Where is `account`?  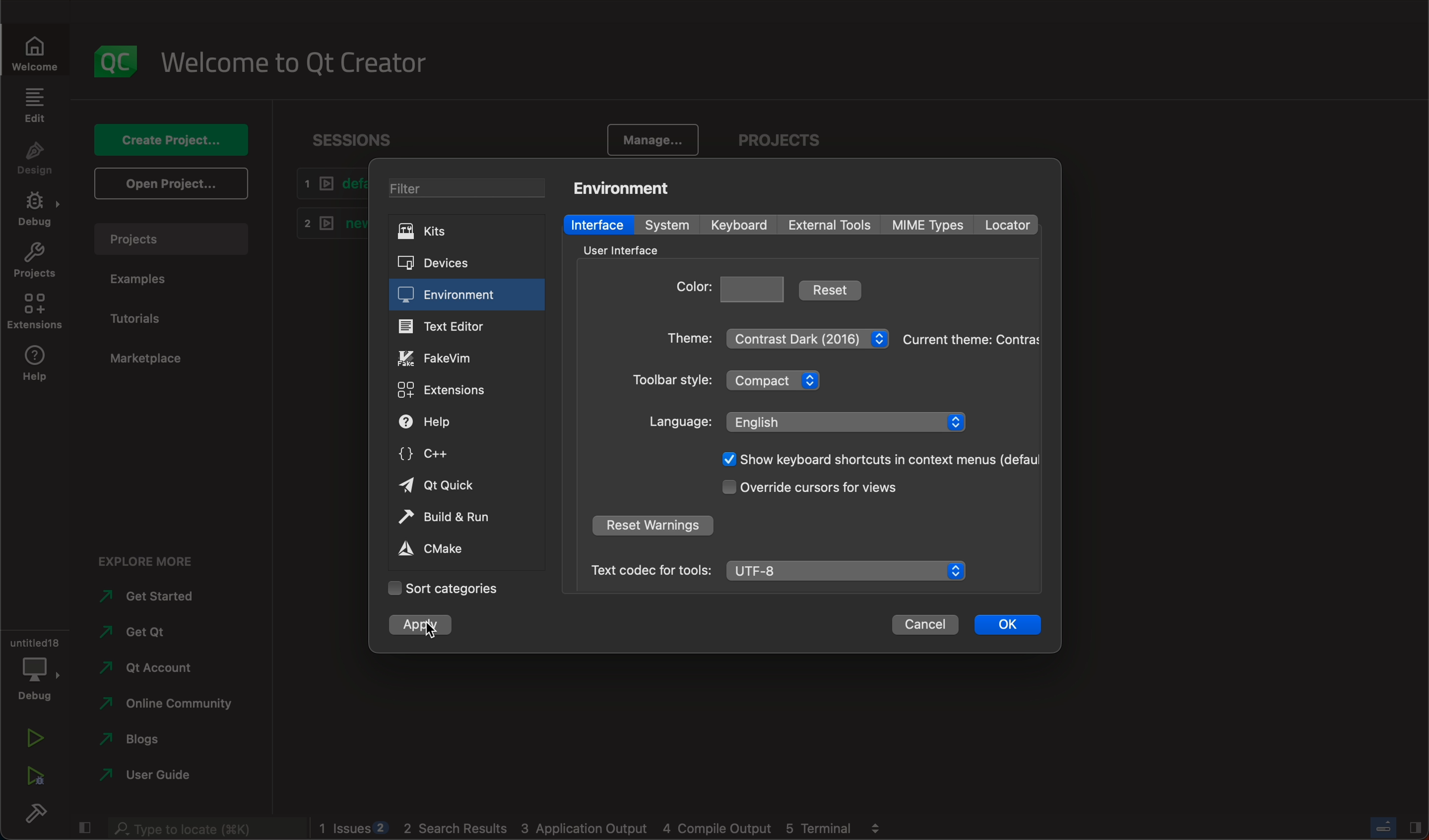
account is located at coordinates (160, 666).